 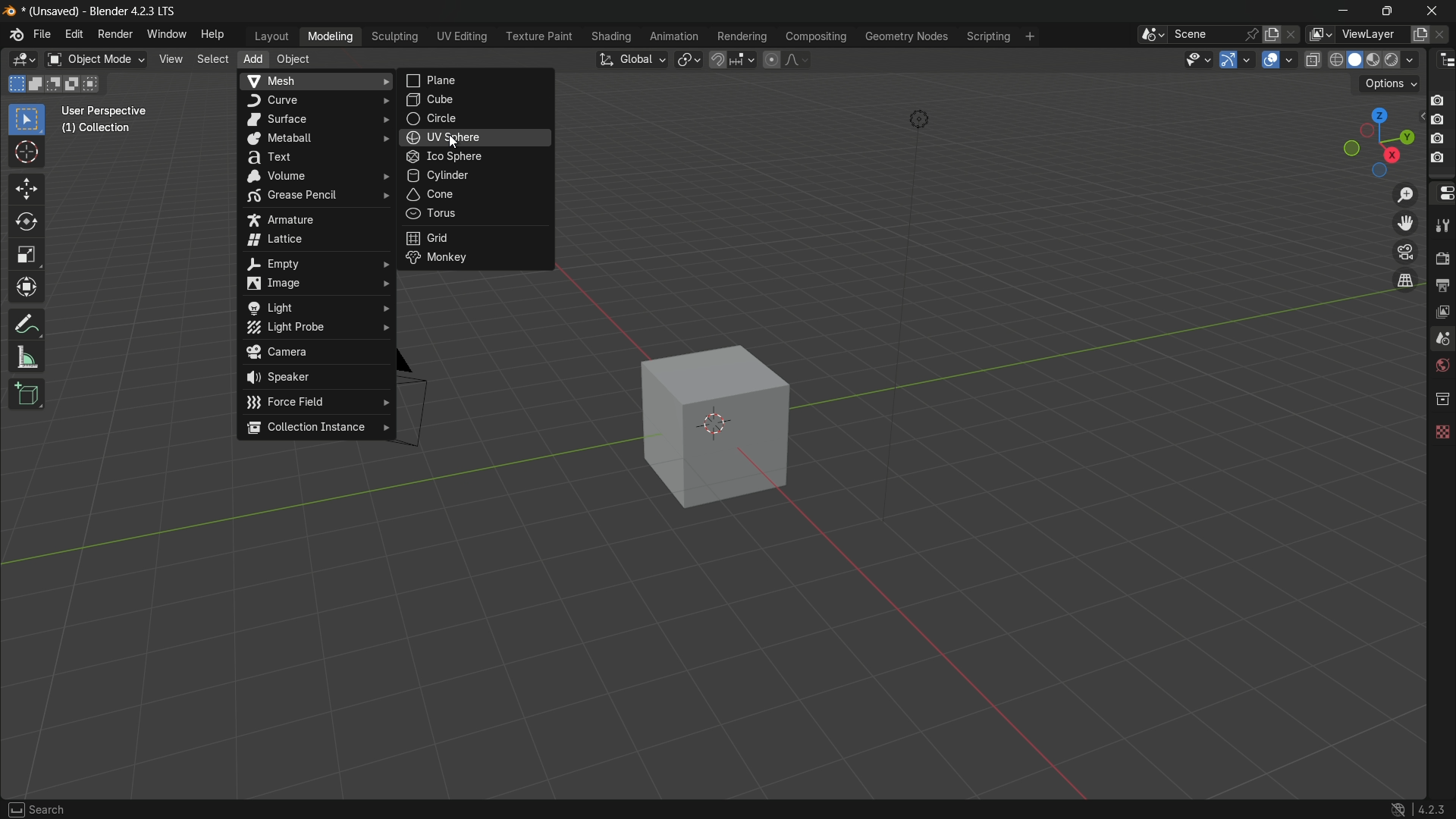 What do you see at coordinates (317, 403) in the screenshot?
I see `force field` at bounding box center [317, 403].